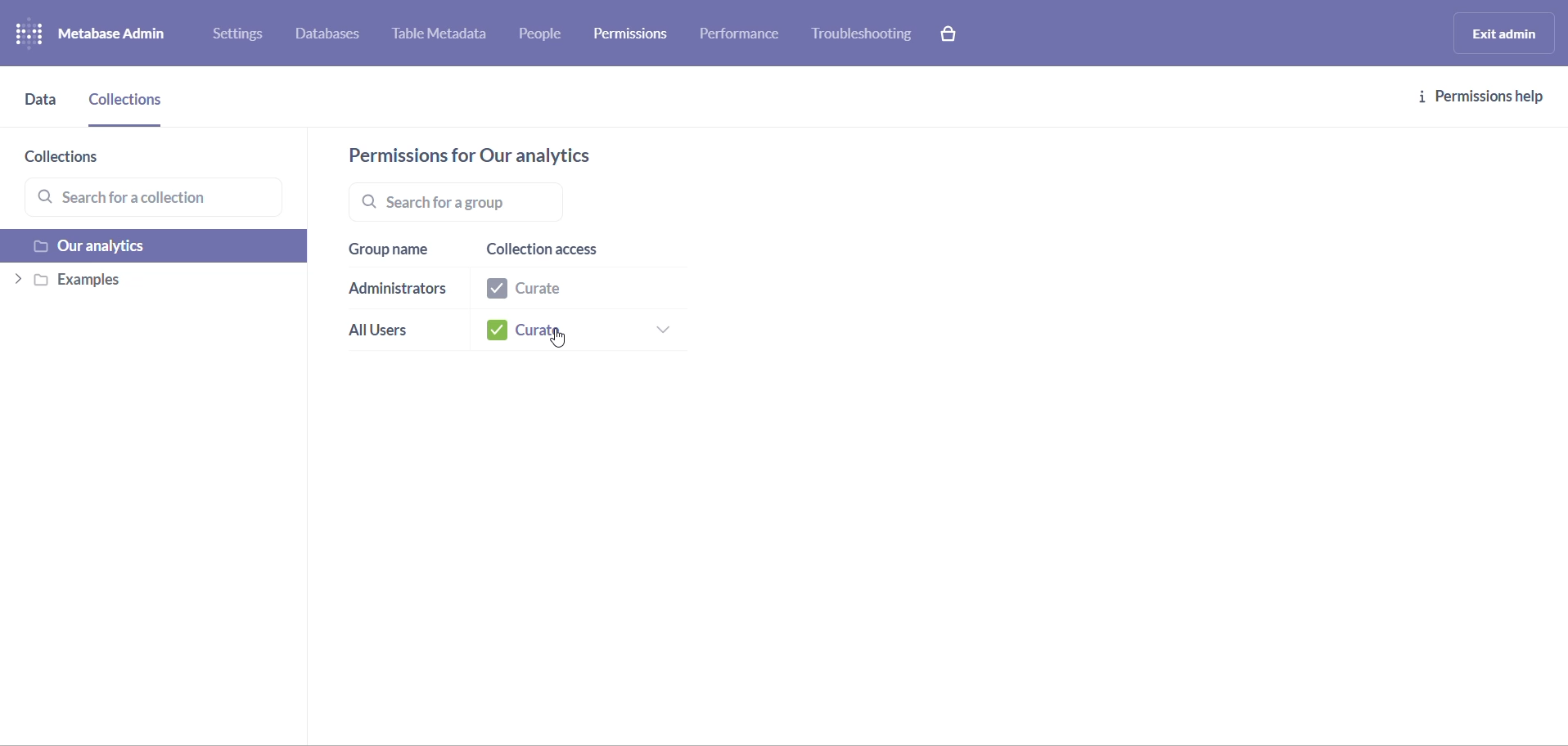  What do you see at coordinates (390, 334) in the screenshot?
I see `all users group` at bounding box center [390, 334].